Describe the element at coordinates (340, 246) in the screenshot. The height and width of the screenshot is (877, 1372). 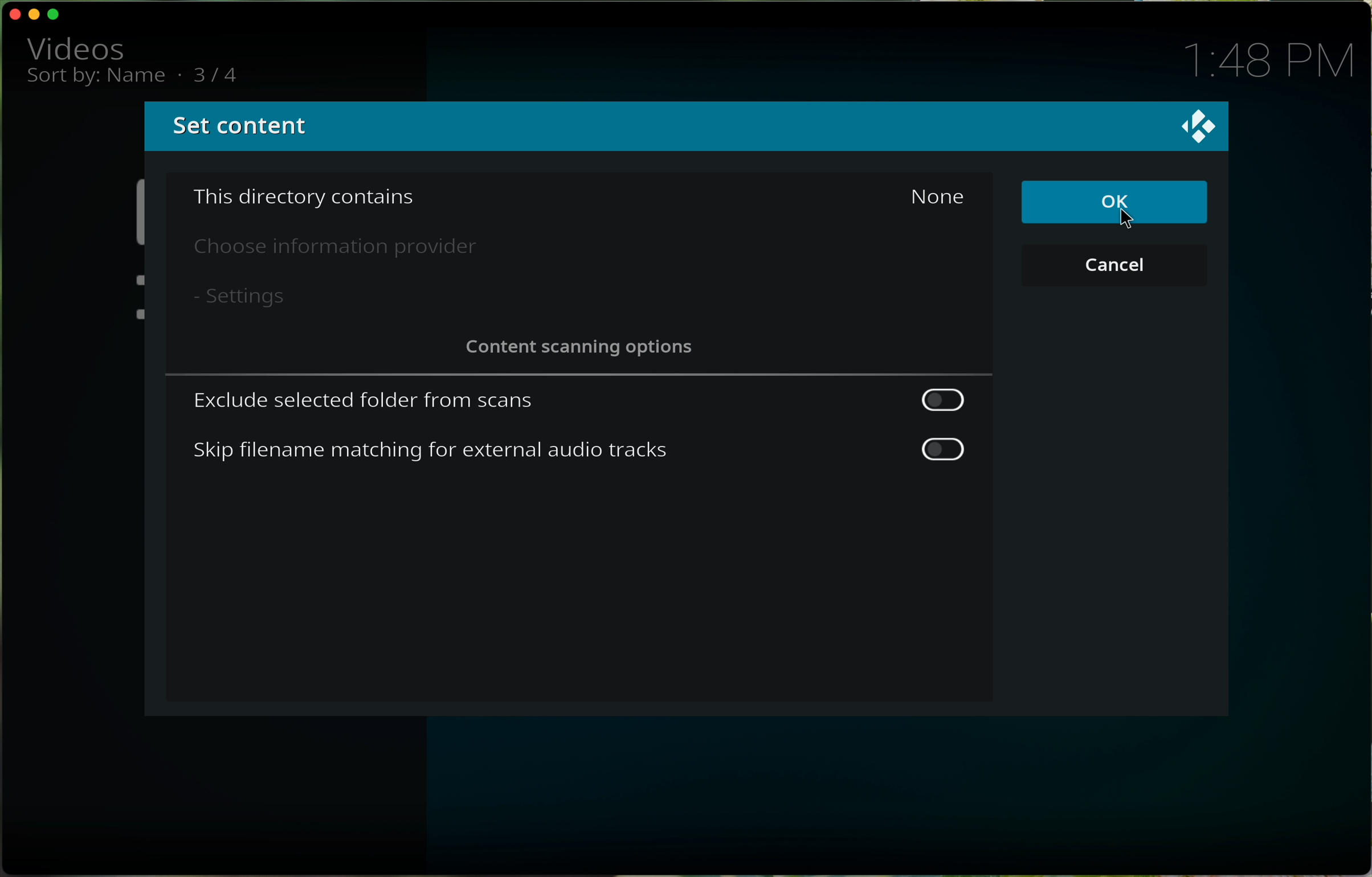
I see `choose information provider` at that location.